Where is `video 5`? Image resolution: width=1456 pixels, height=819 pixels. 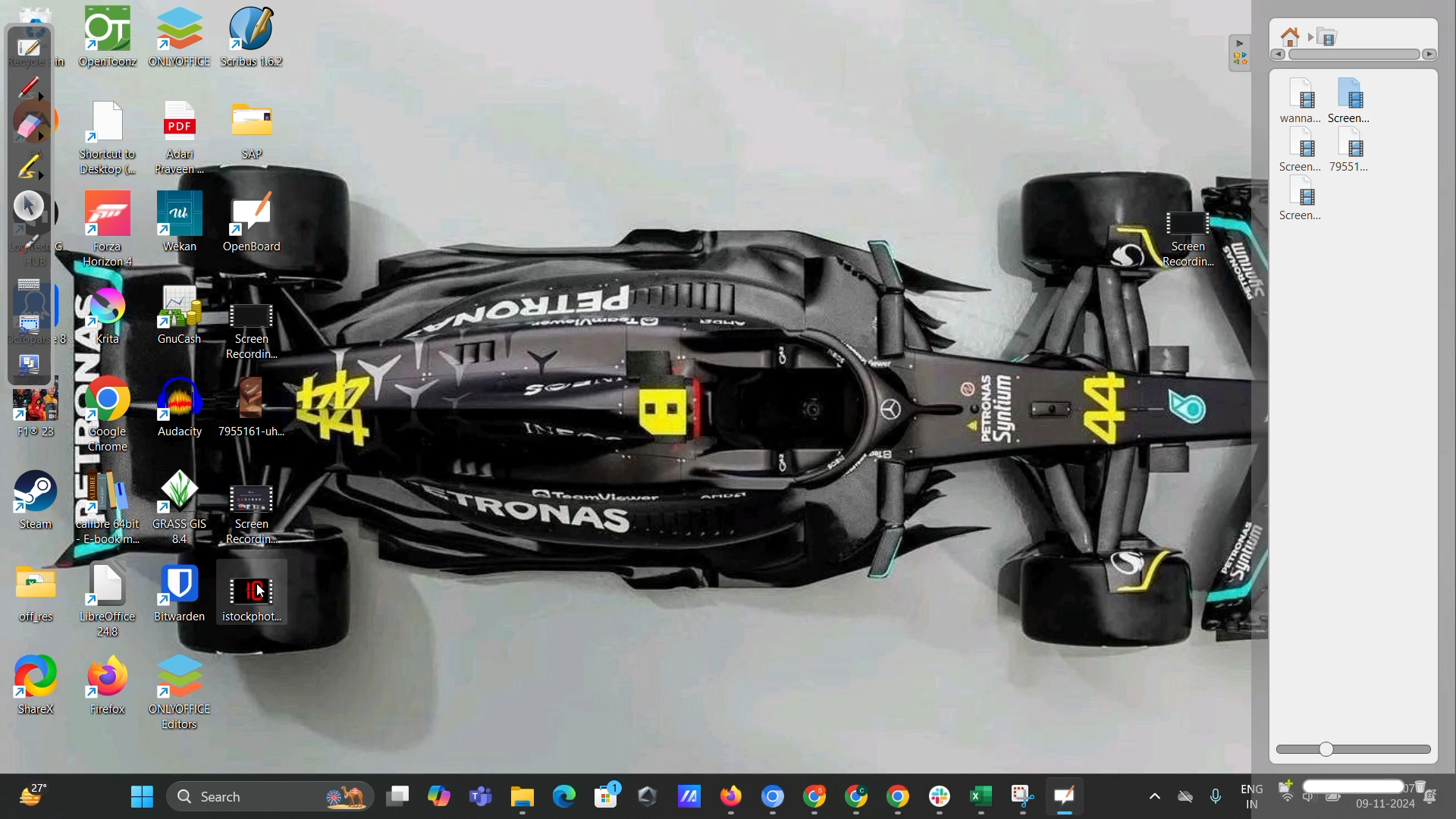
video 5 is located at coordinates (1300, 199).